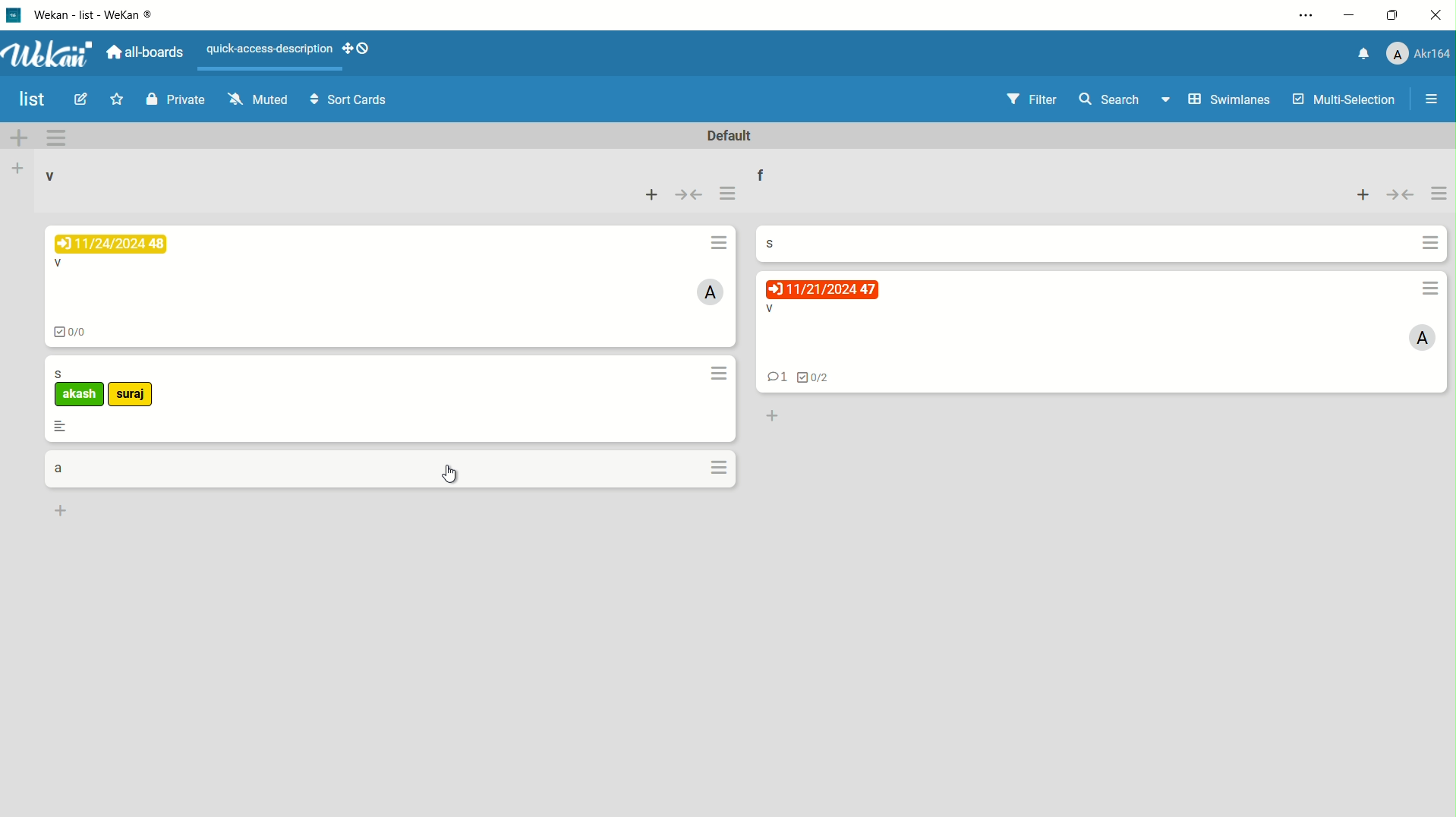 The width and height of the screenshot is (1456, 817). Describe the element at coordinates (729, 194) in the screenshot. I see `list actions` at that location.